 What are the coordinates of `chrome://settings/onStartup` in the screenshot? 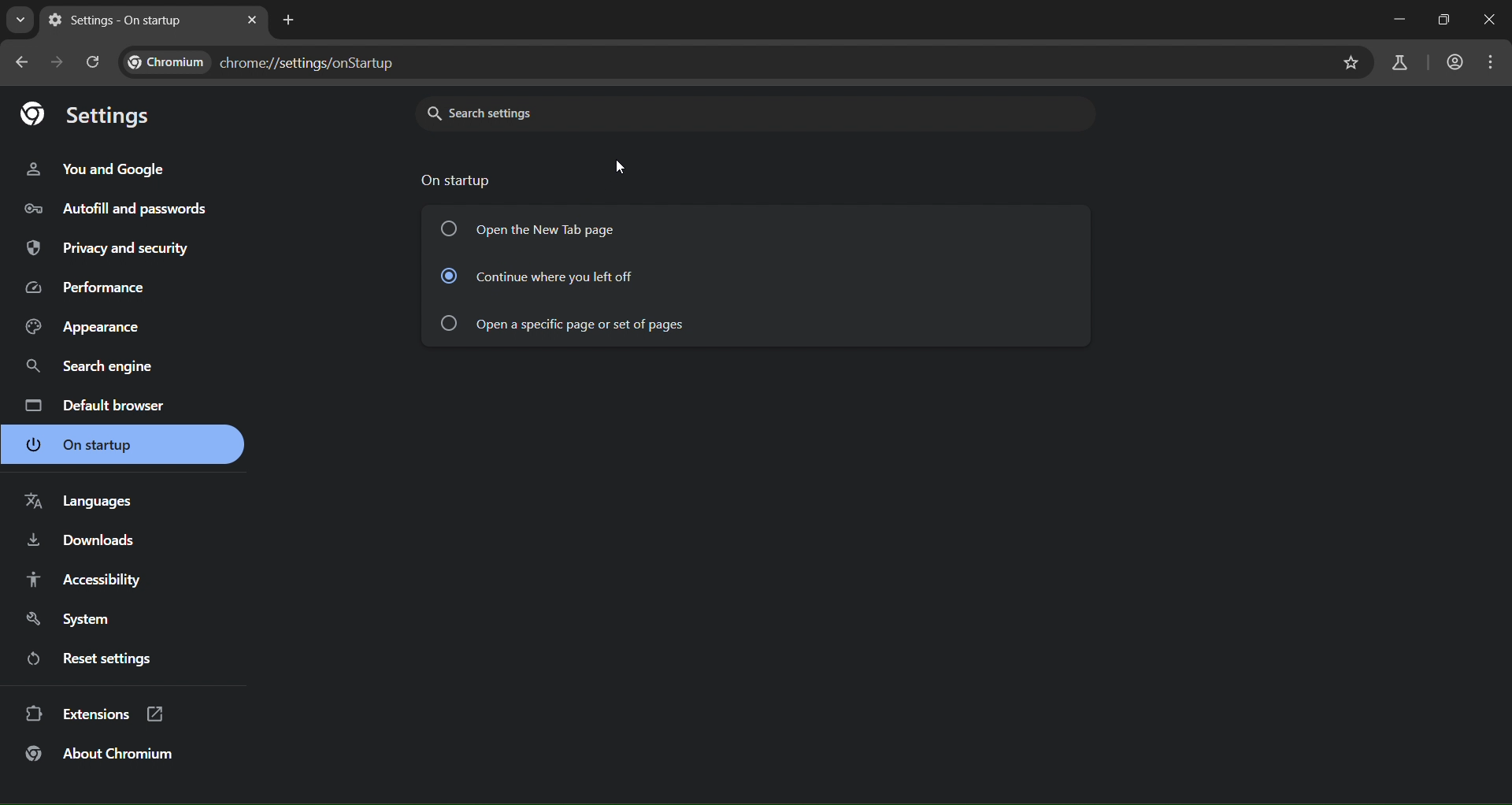 It's located at (261, 65).